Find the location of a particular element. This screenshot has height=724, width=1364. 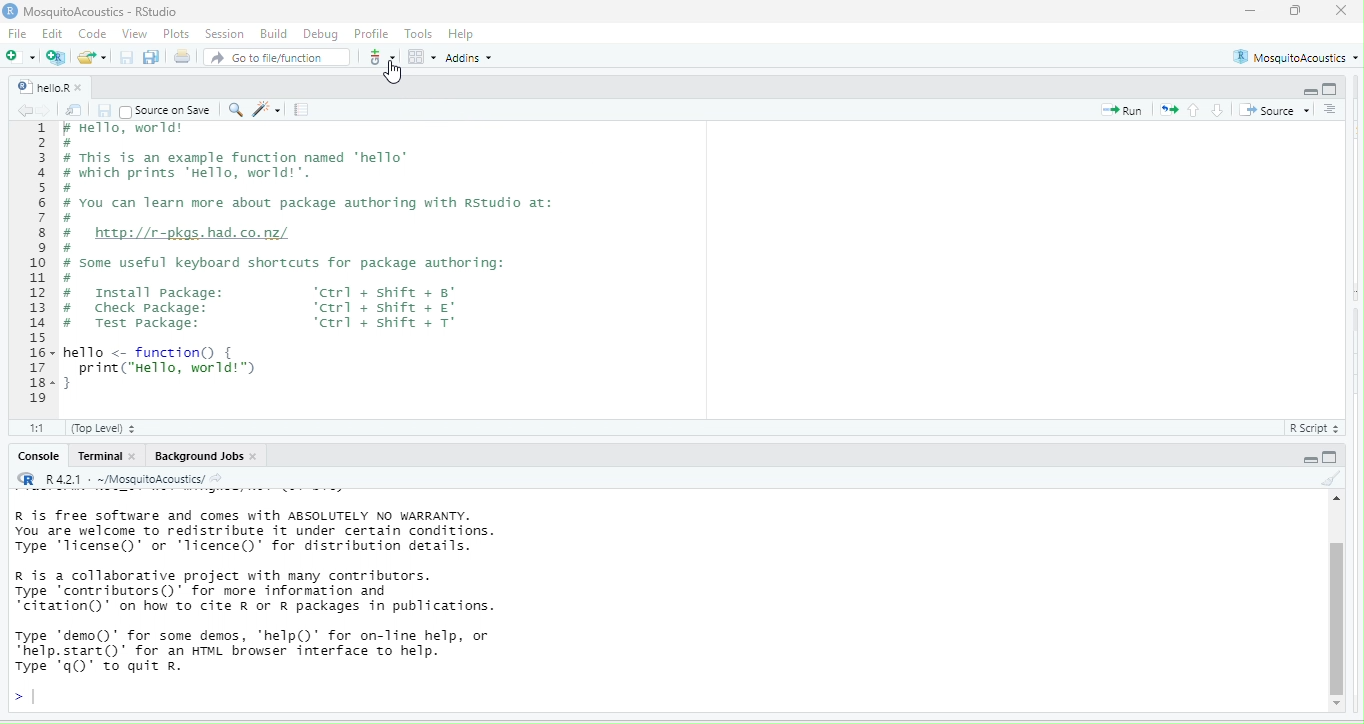

1:1 is located at coordinates (41, 430).